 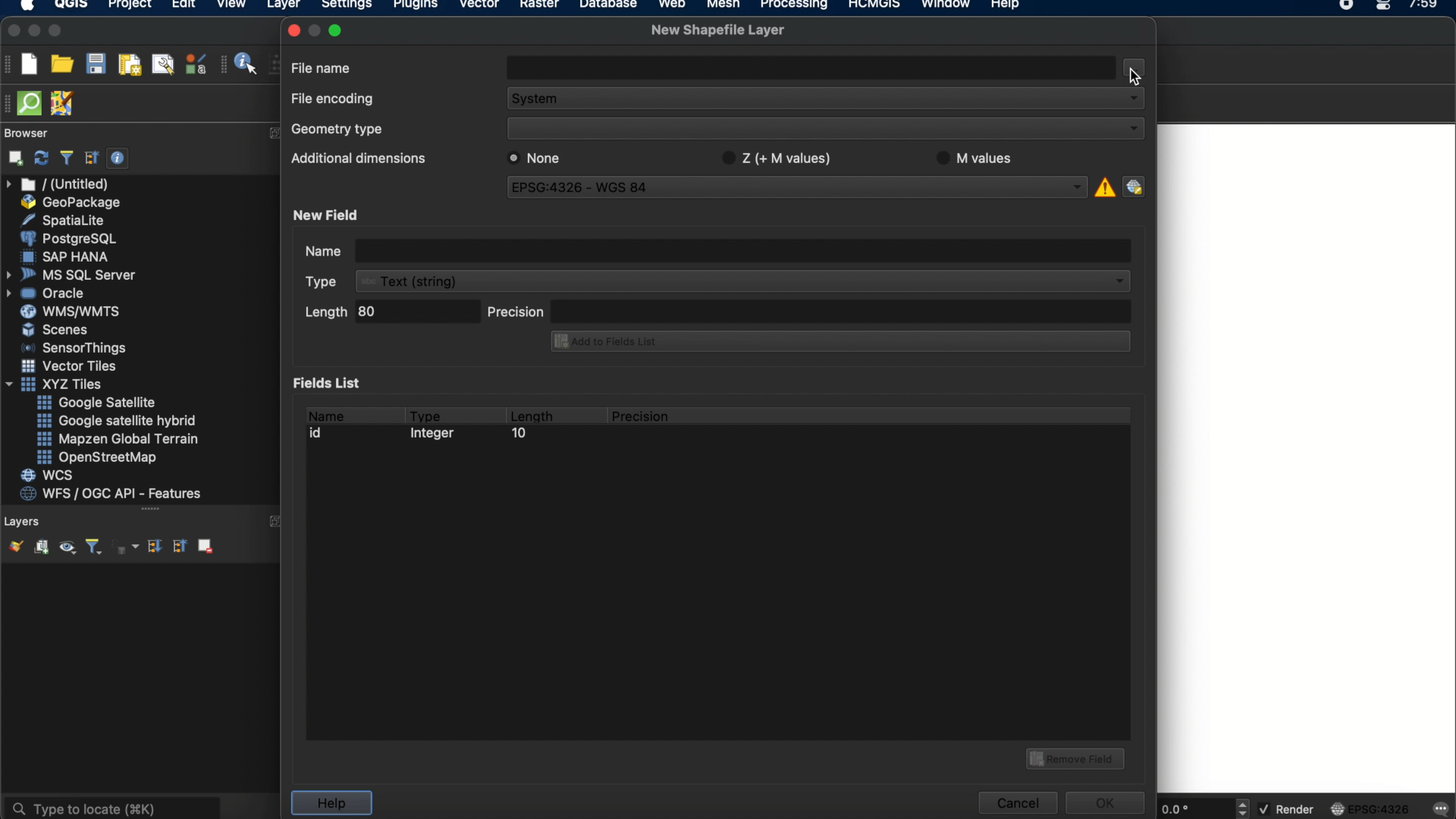 I want to click on 10, so click(x=518, y=435).